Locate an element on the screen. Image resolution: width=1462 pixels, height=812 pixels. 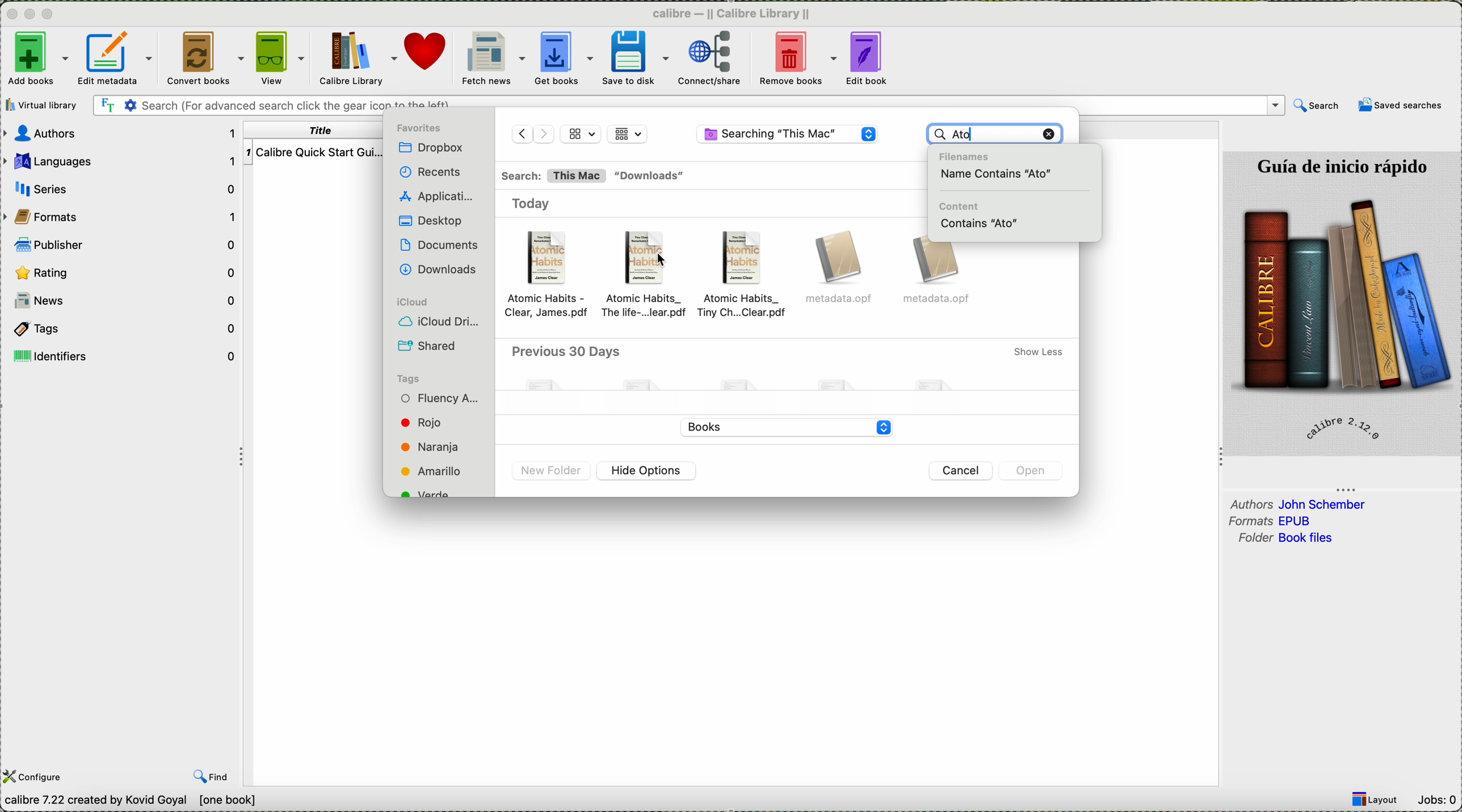
tags is located at coordinates (409, 377).